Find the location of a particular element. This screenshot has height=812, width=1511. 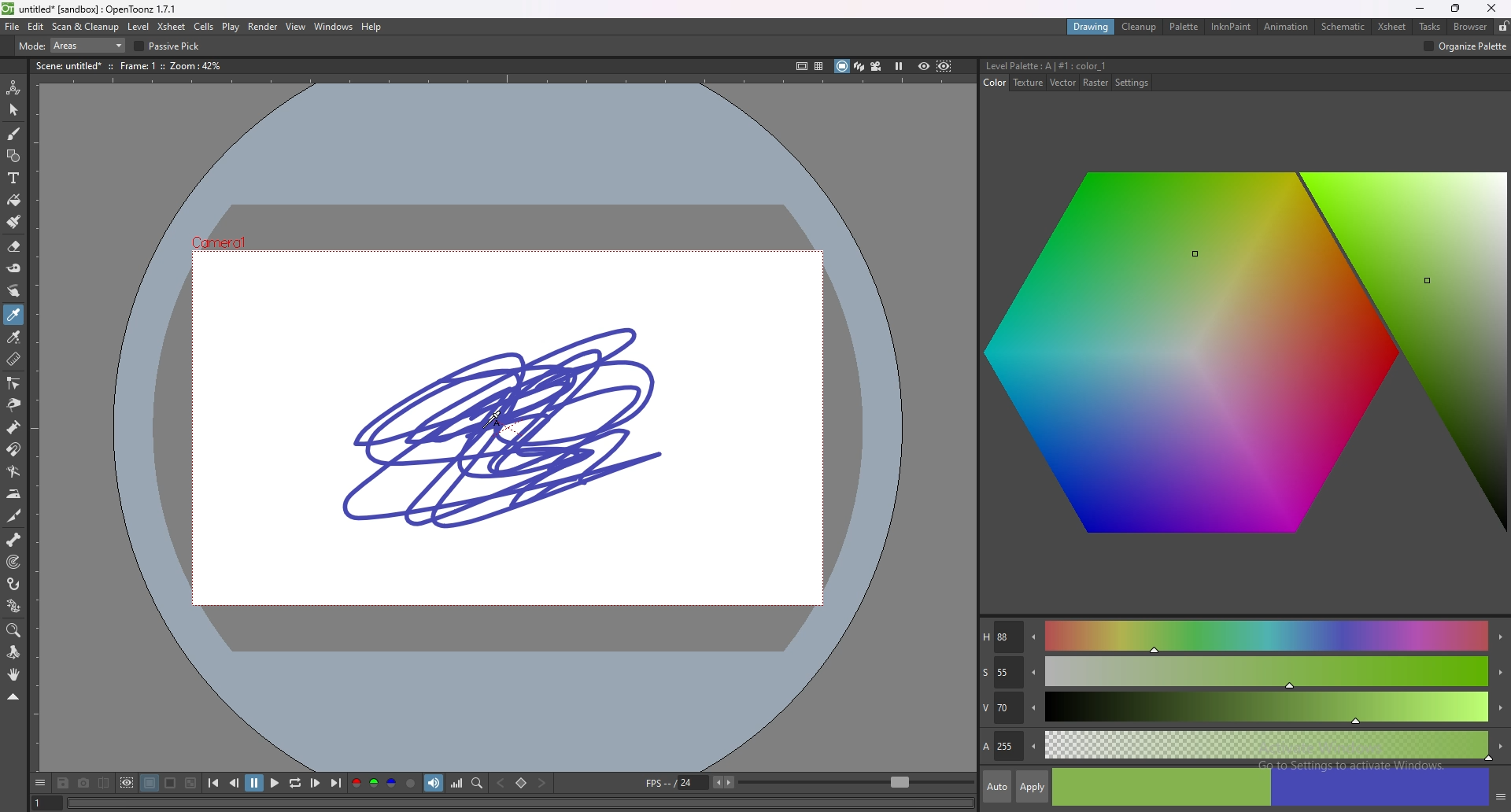

miter is located at coordinates (1284, 45).